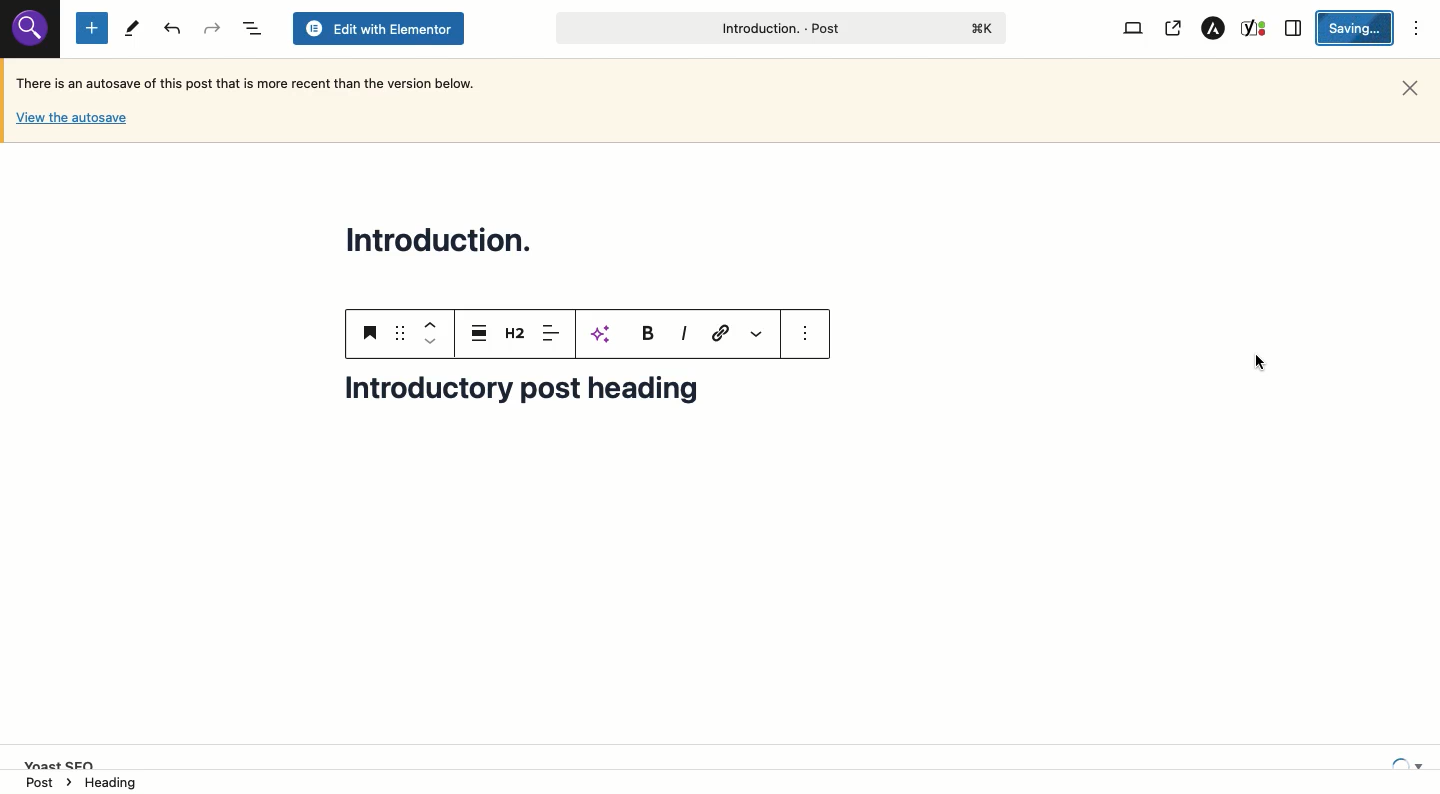  What do you see at coordinates (721, 333) in the screenshot?
I see `Link` at bounding box center [721, 333].